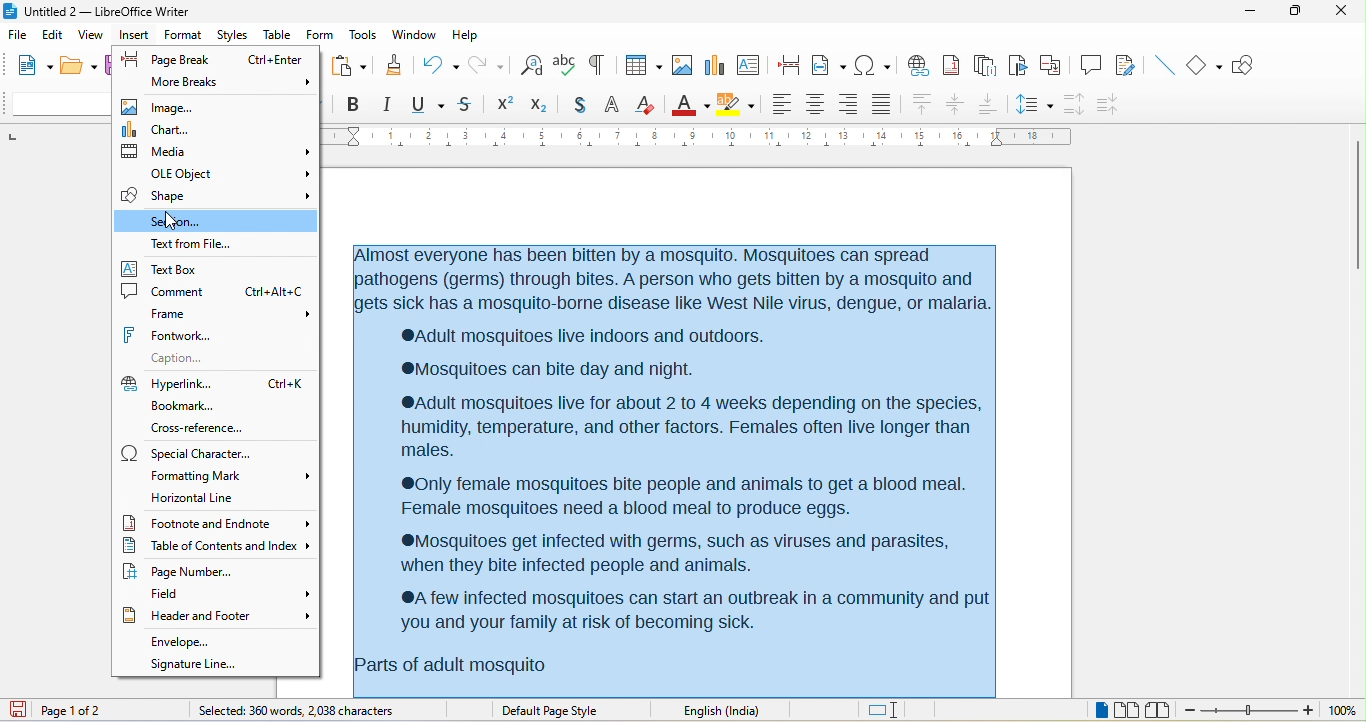  What do you see at coordinates (216, 313) in the screenshot?
I see `frame` at bounding box center [216, 313].